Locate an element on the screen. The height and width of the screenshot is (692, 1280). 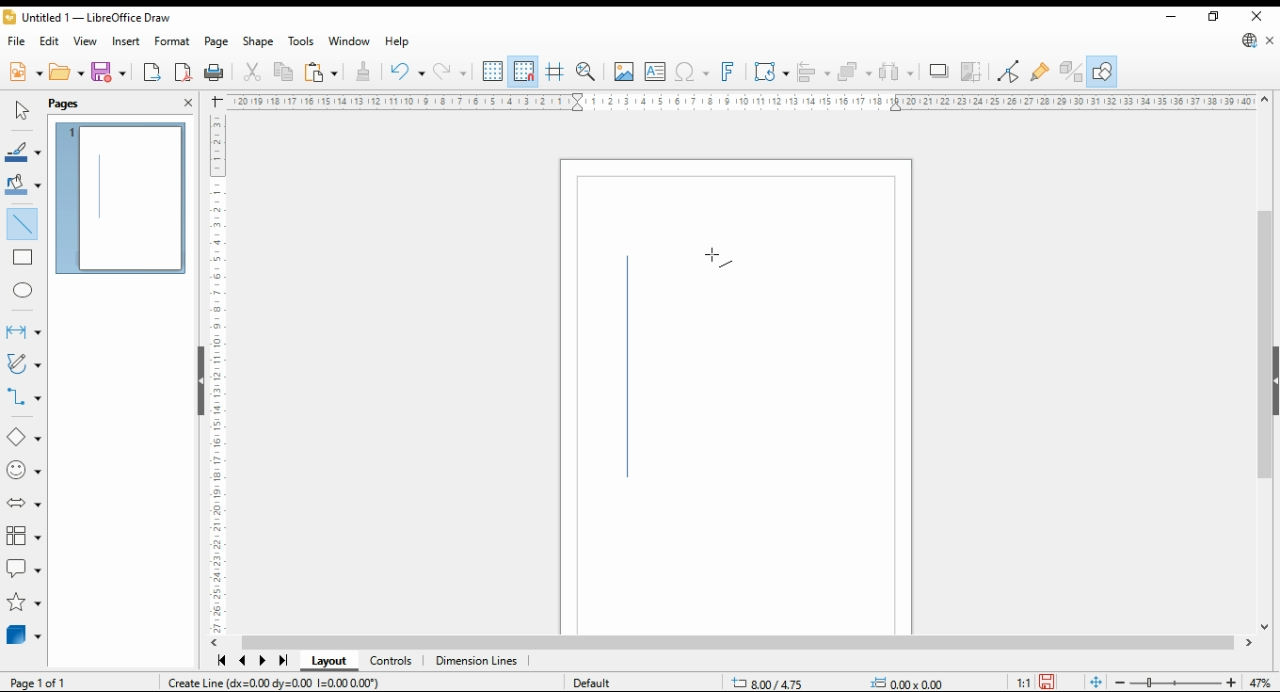
previous page is located at coordinates (244, 662).